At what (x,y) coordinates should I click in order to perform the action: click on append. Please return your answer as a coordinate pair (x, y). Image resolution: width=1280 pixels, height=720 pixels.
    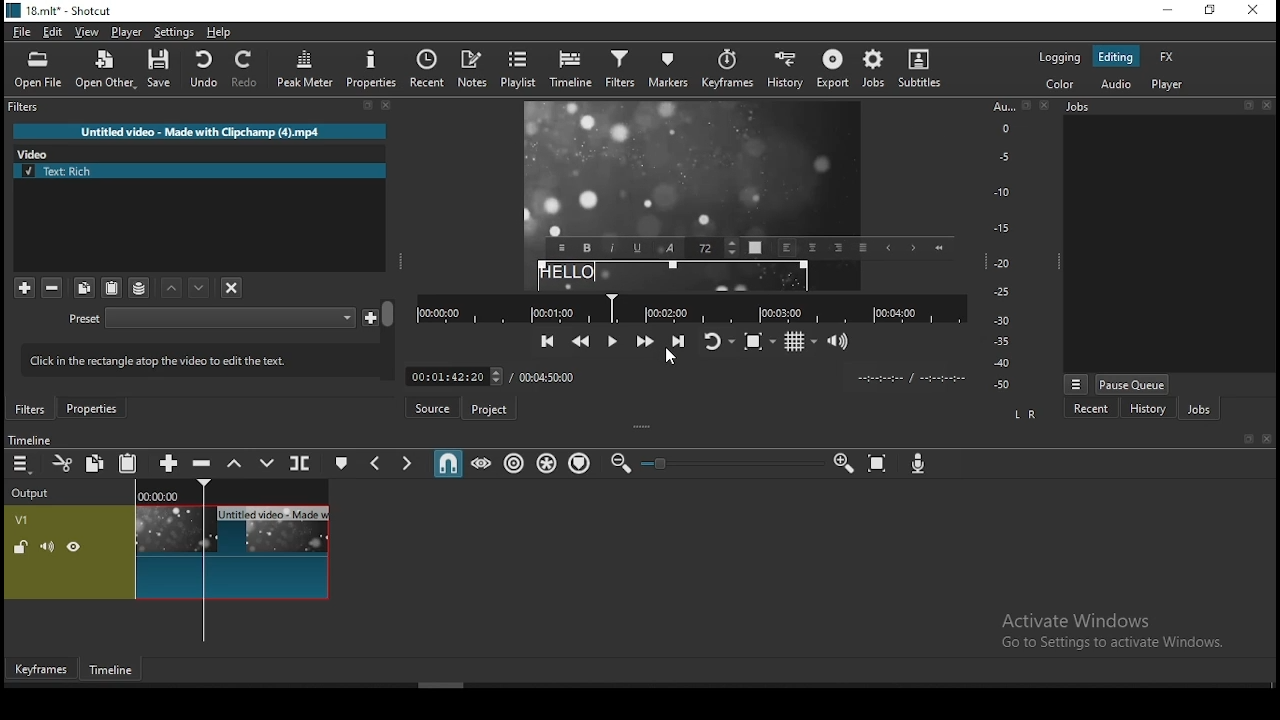
    Looking at the image, I should click on (171, 462).